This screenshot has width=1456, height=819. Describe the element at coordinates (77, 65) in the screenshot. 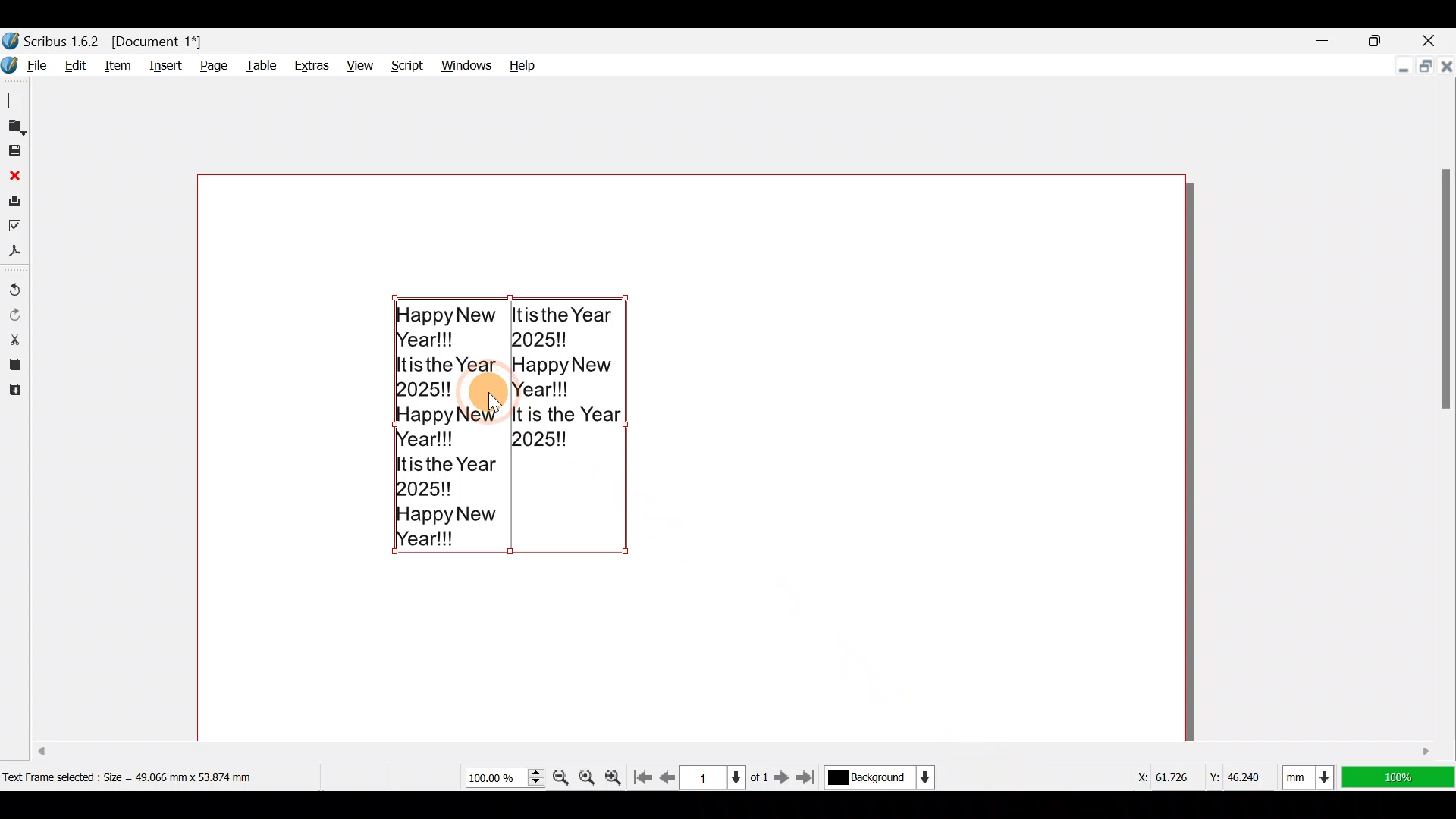

I see `Edit` at that location.